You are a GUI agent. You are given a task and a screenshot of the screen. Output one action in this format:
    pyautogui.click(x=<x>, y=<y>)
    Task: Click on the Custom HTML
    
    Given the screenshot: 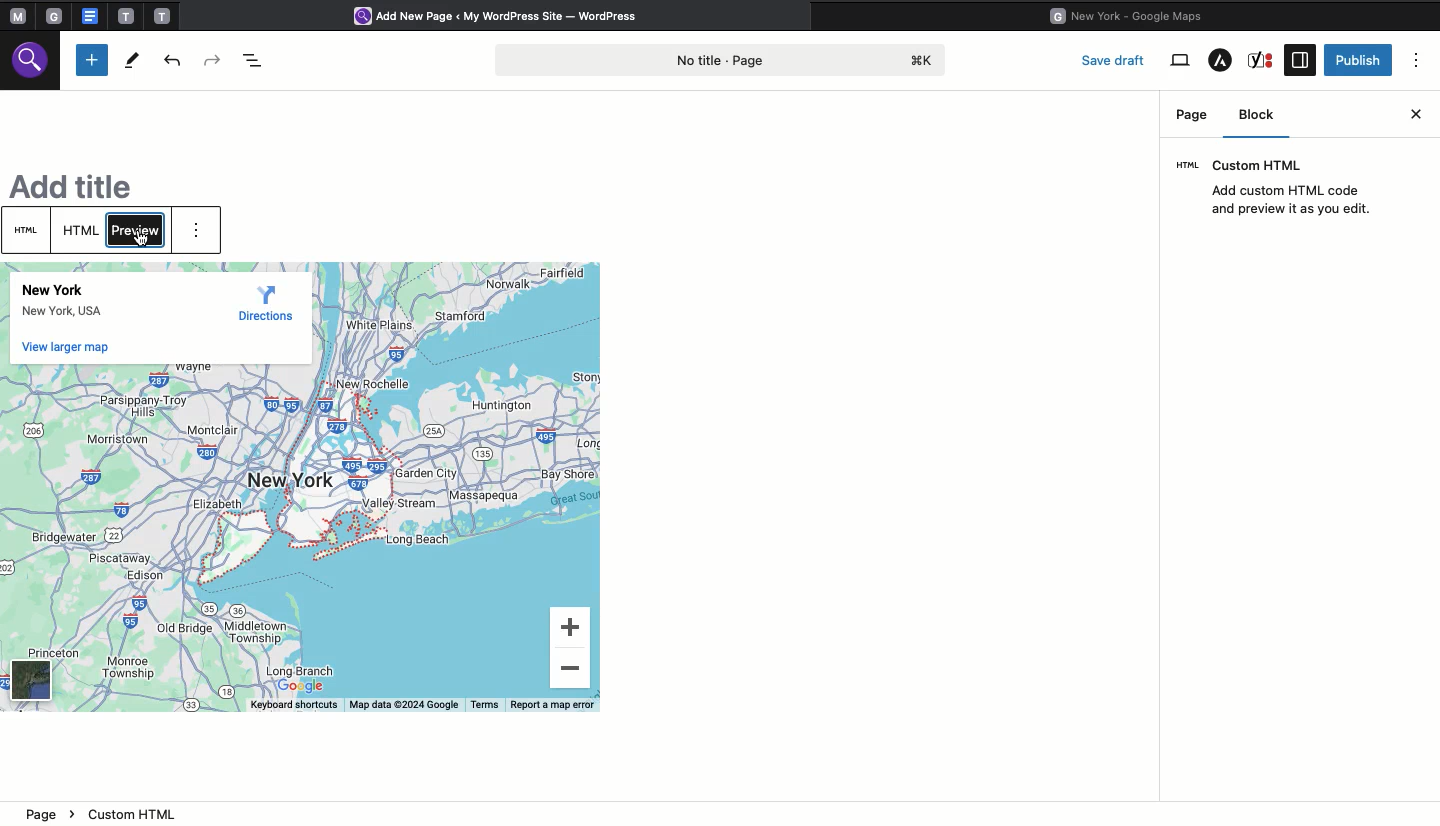 What is the action you would take?
    pyautogui.click(x=1282, y=188)
    